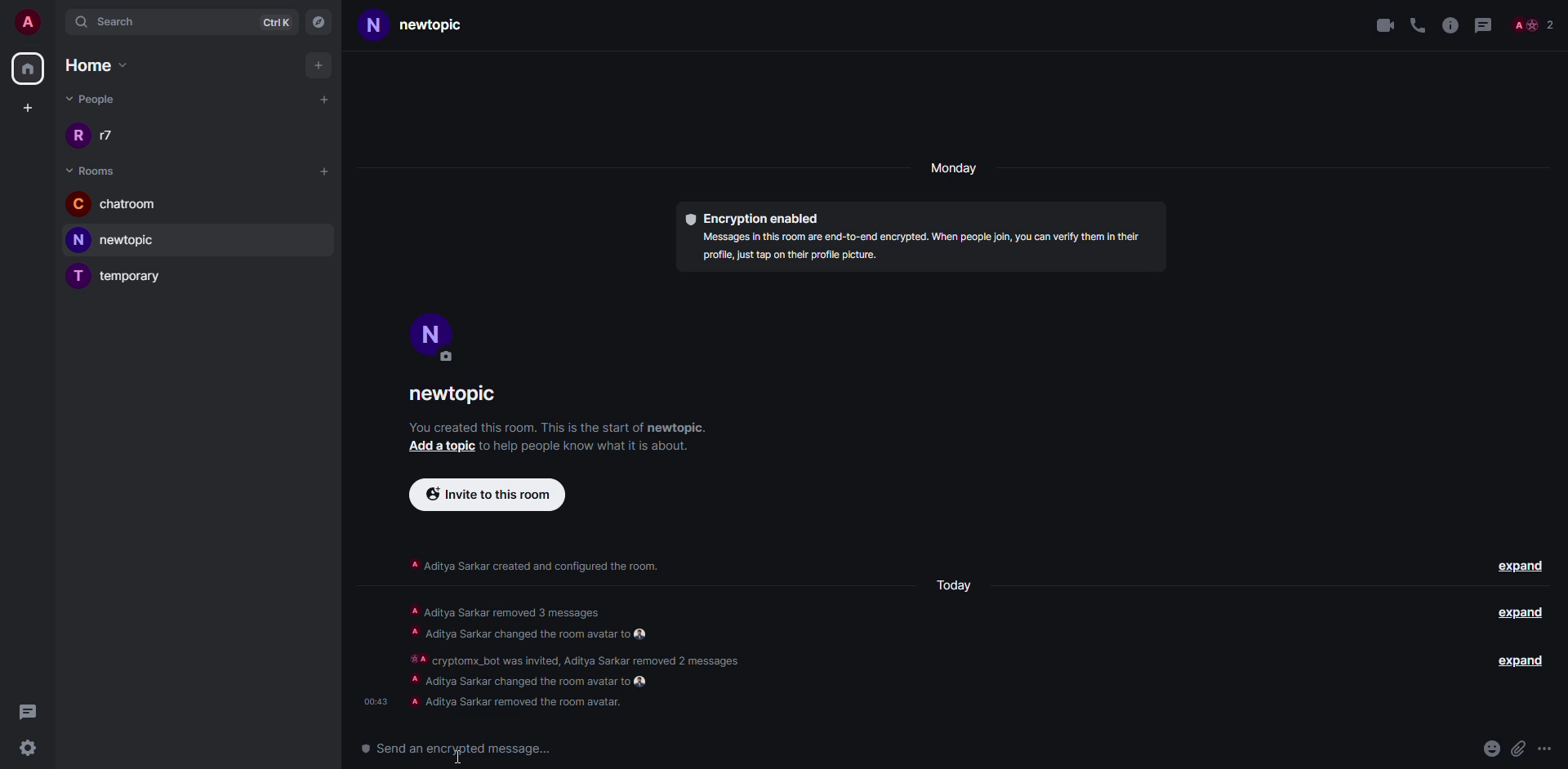 The height and width of the screenshot is (769, 1568). I want to click on voice call, so click(1418, 23).